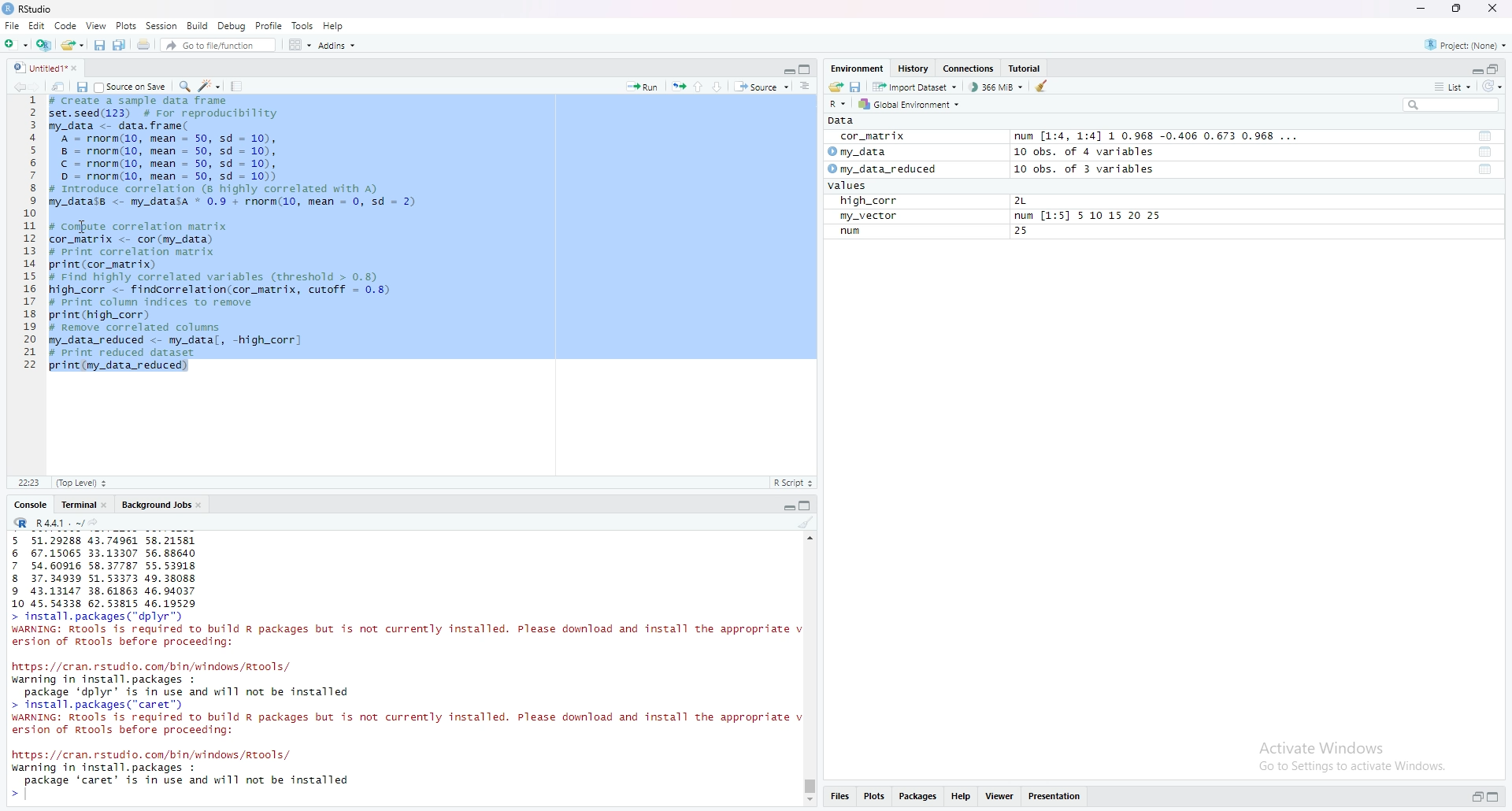 The height and width of the screenshot is (811, 1512). I want to click on add file, so click(46, 45).